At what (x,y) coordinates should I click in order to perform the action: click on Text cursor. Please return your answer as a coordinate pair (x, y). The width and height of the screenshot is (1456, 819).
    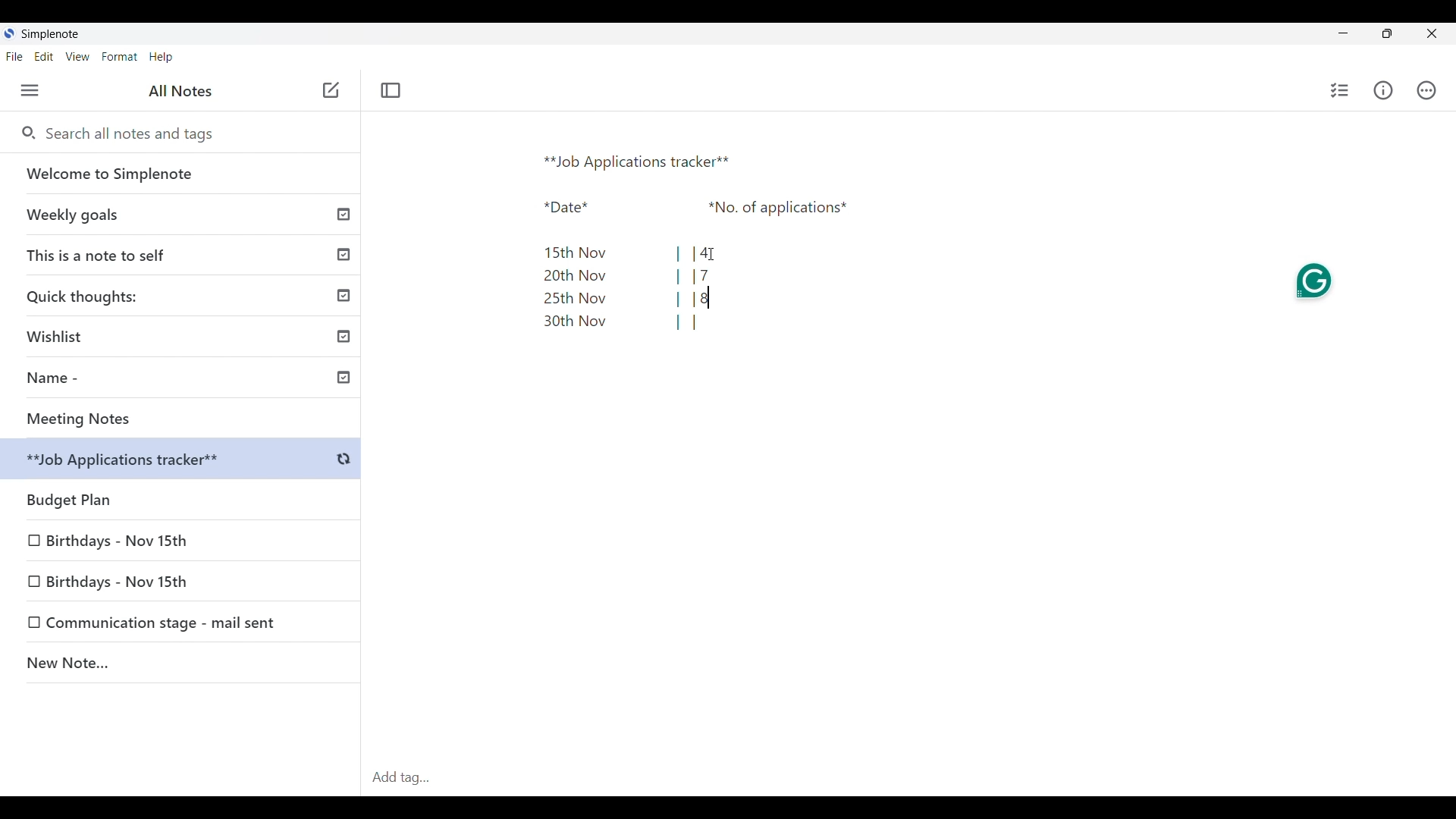
    Looking at the image, I should click on (710, 297).